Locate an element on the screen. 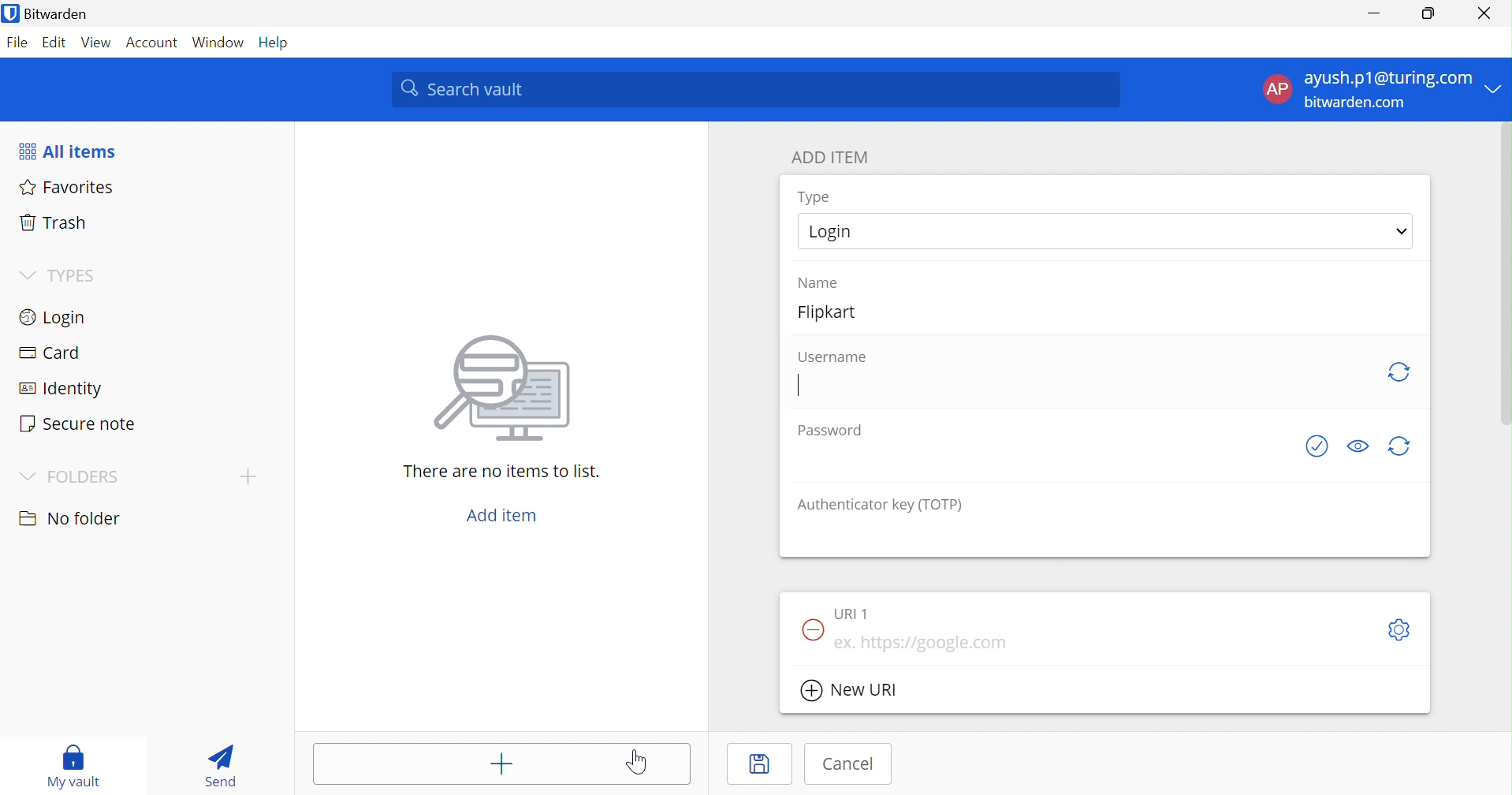 The image size is (1512, 795). Login is located at coordinates (832, 233).